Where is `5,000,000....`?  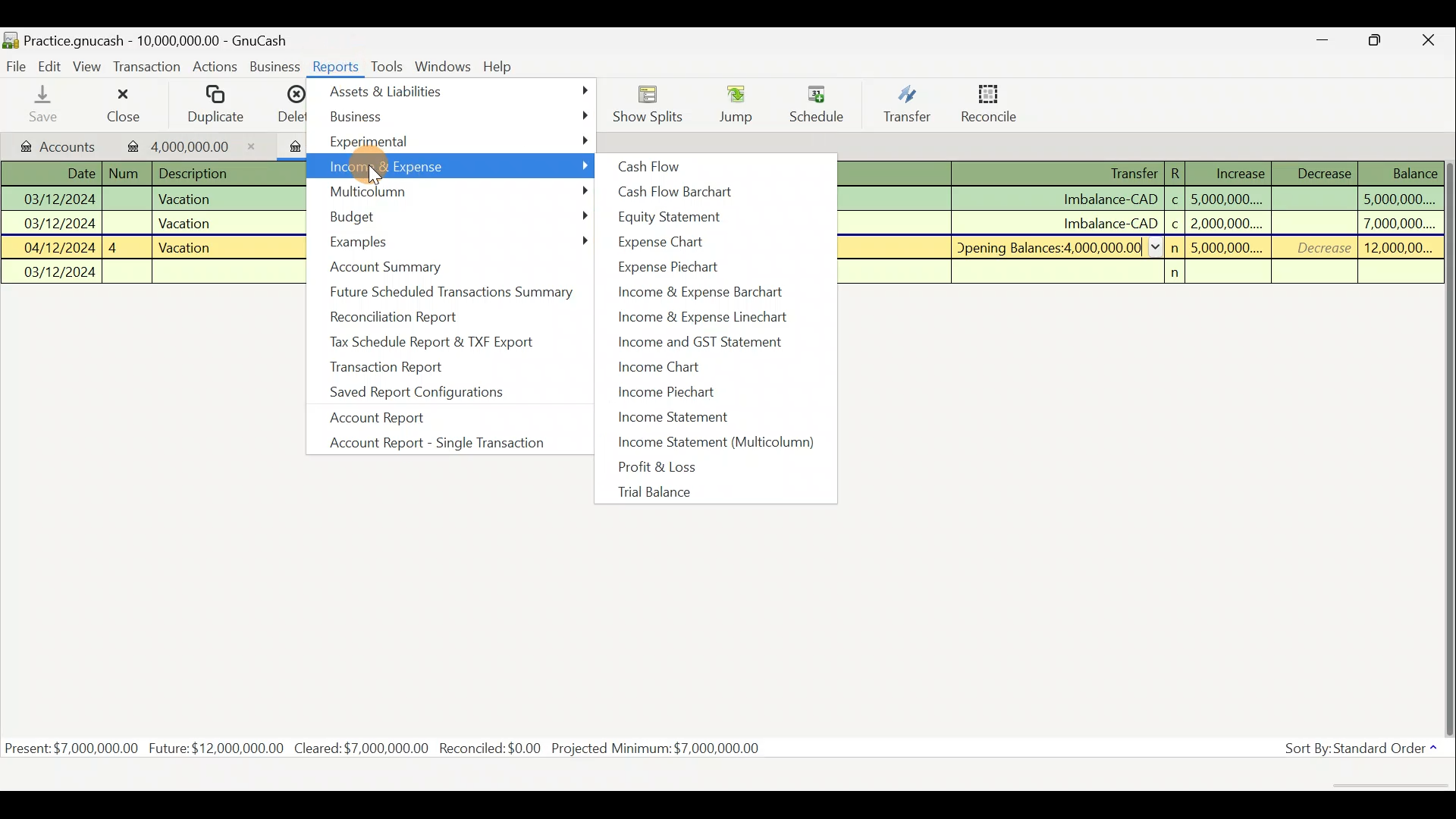
5,000,000.... is located at coordinates (1228, 199).